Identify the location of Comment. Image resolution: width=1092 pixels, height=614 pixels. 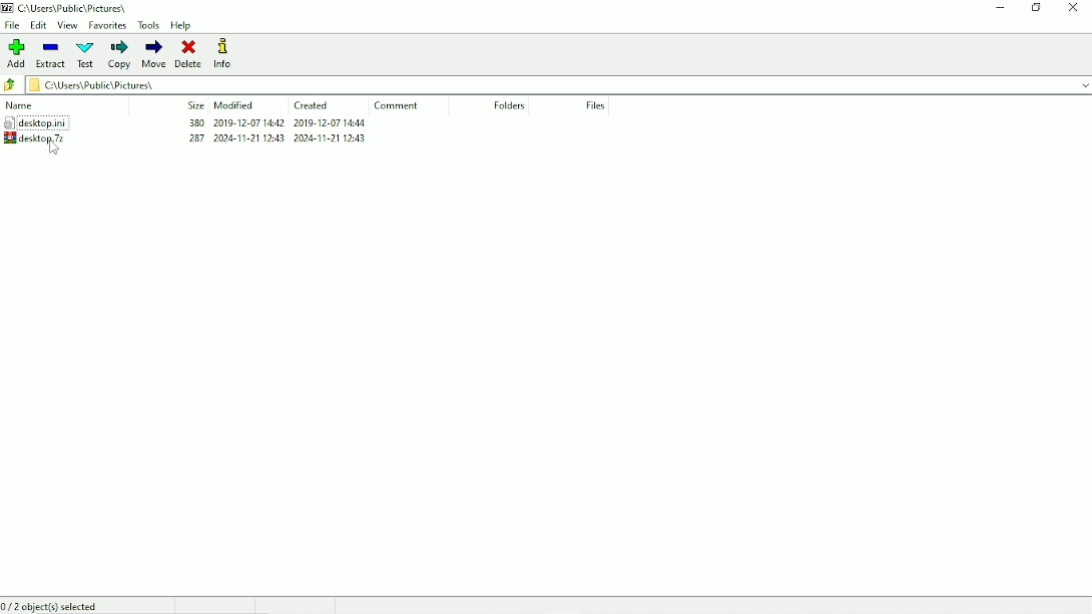
(398, 106).